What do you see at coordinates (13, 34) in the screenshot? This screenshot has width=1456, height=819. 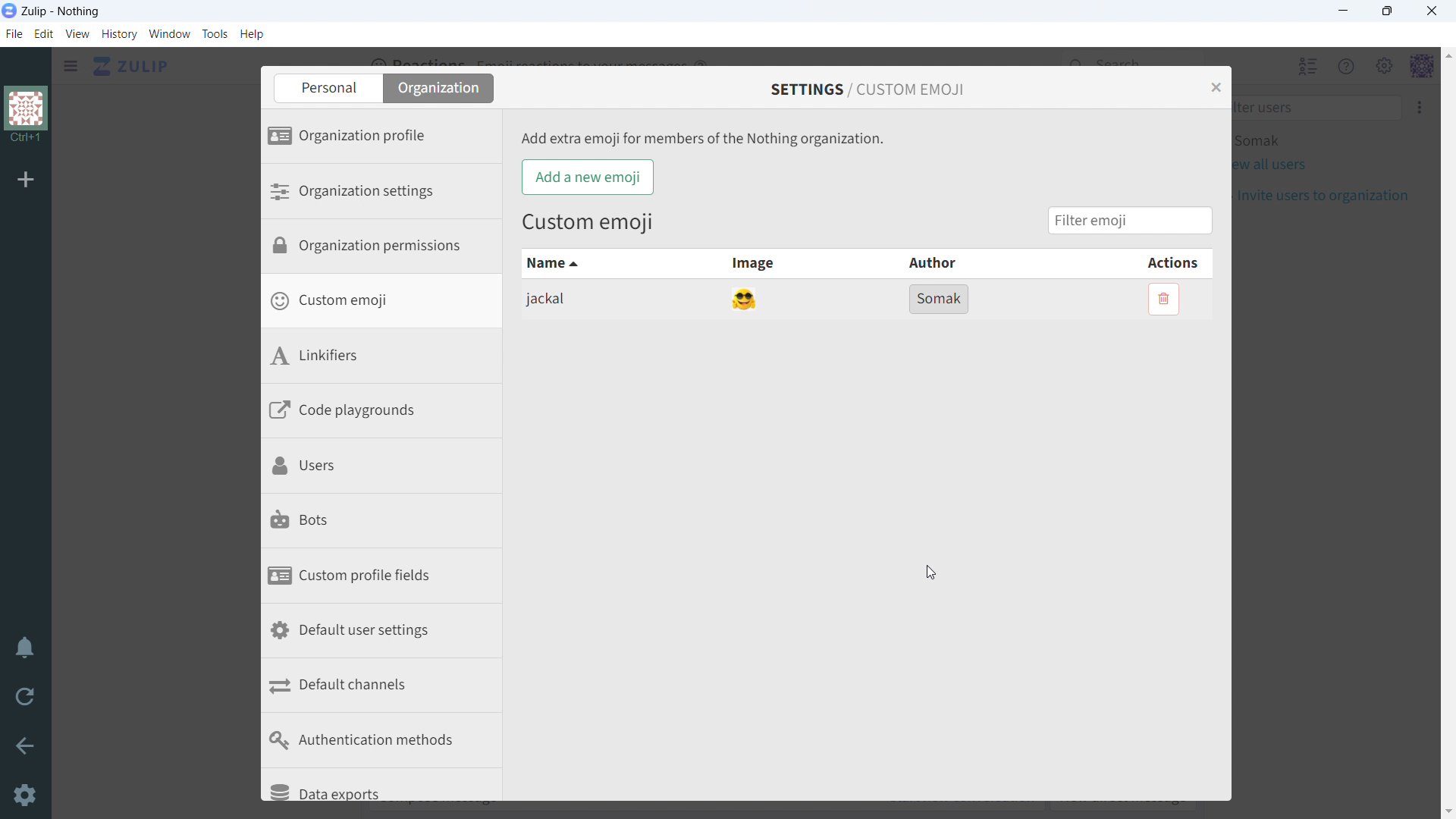 I see `file` at bounding box center [13, 34].